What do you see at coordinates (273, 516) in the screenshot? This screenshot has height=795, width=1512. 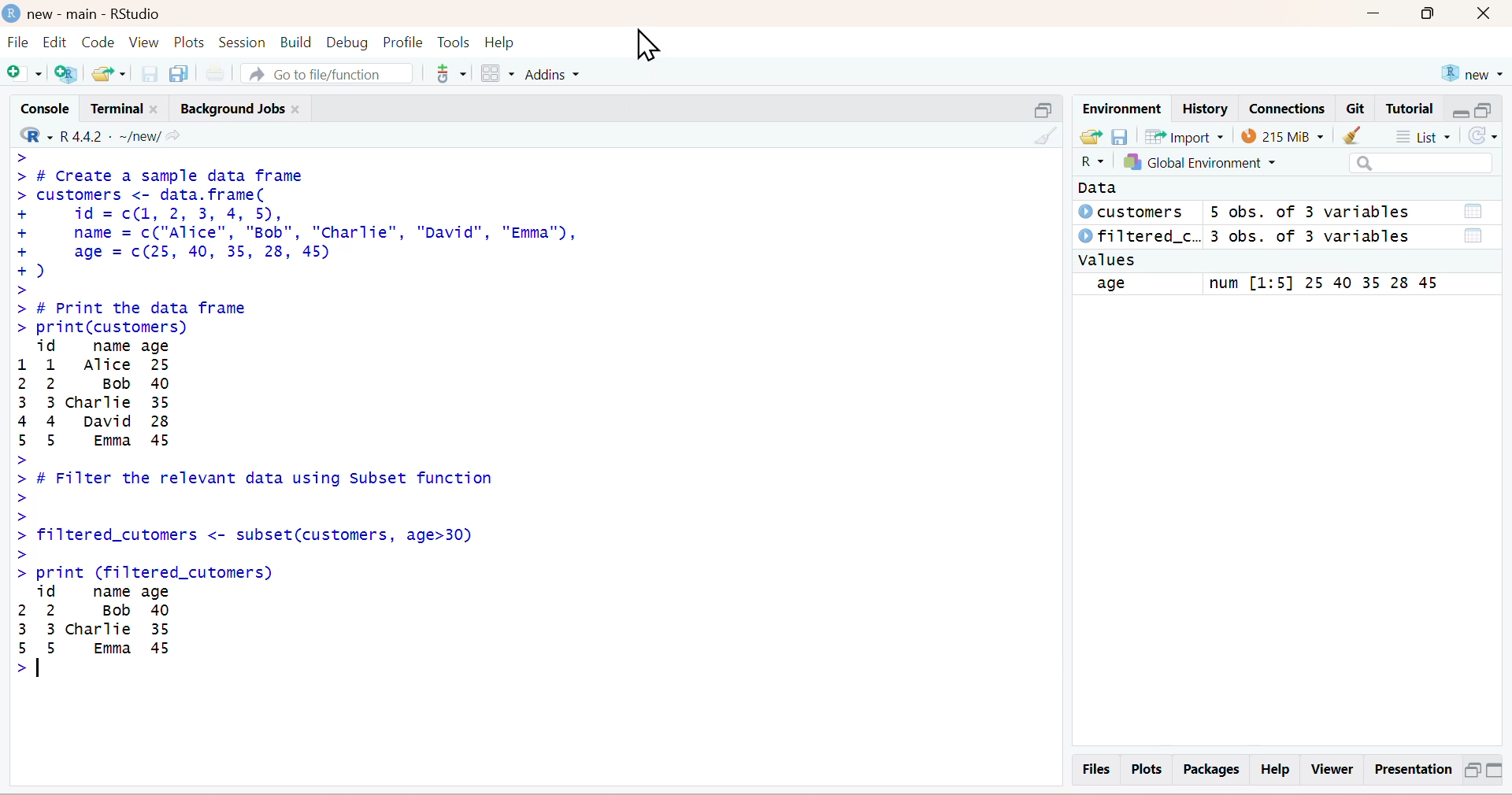 I see `~

> # Filter the relevant data using Subset function
>

>

> filtered_cutomers <- subset(customers, age>30)
>

> print (filtered_cutomers)|` at bounding box center [273, 516].